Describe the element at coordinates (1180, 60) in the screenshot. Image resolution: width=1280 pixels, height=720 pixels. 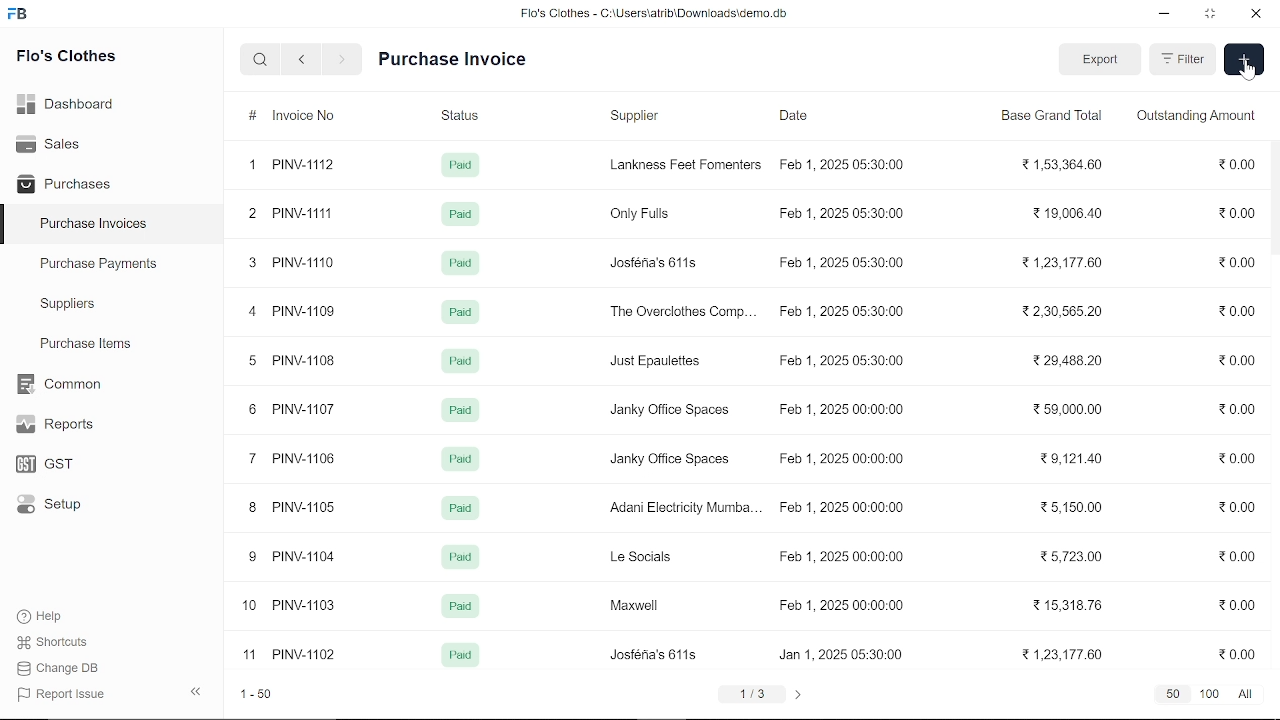
I see ` Filter` at that location.